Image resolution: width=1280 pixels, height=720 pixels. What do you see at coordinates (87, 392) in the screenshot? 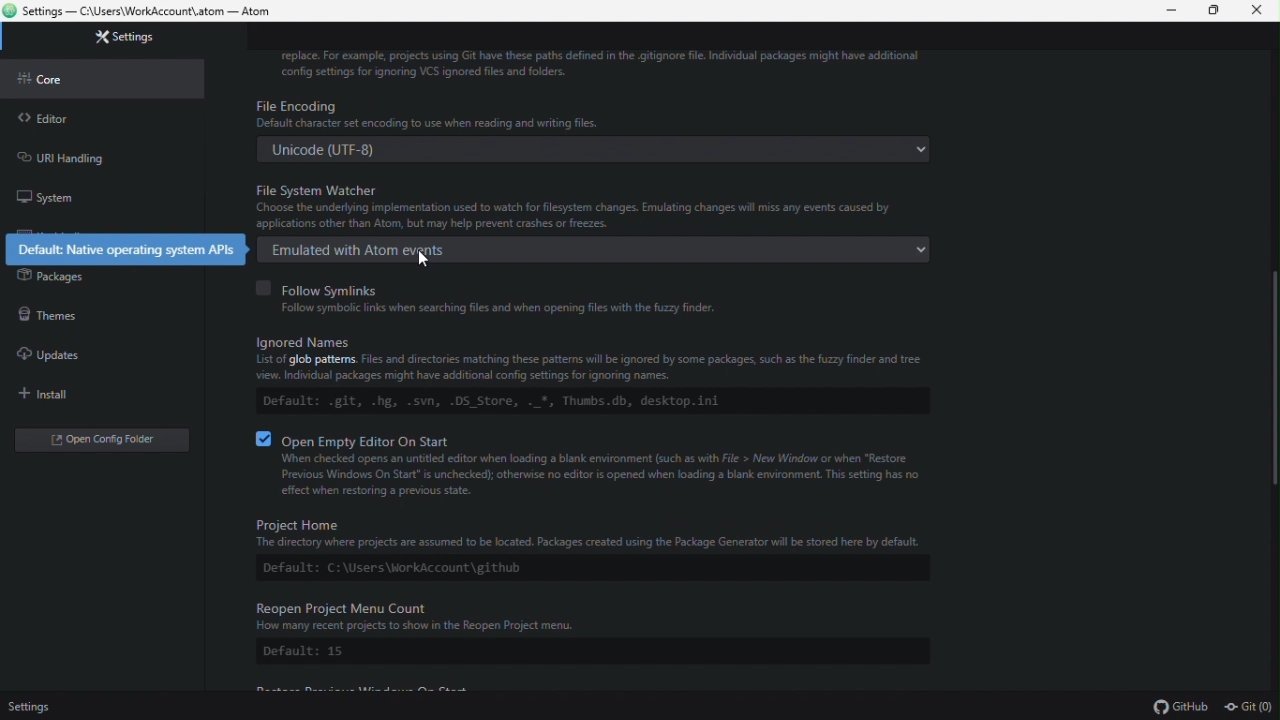
I see `install` at bounding box center [87, 392].